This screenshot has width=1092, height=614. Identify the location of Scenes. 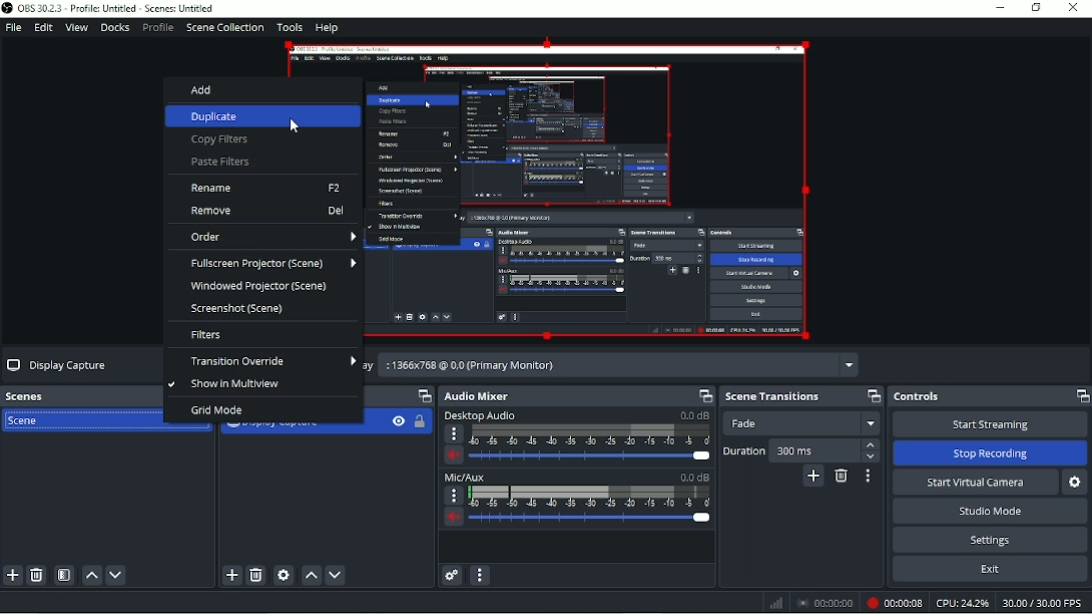
(30, 396).